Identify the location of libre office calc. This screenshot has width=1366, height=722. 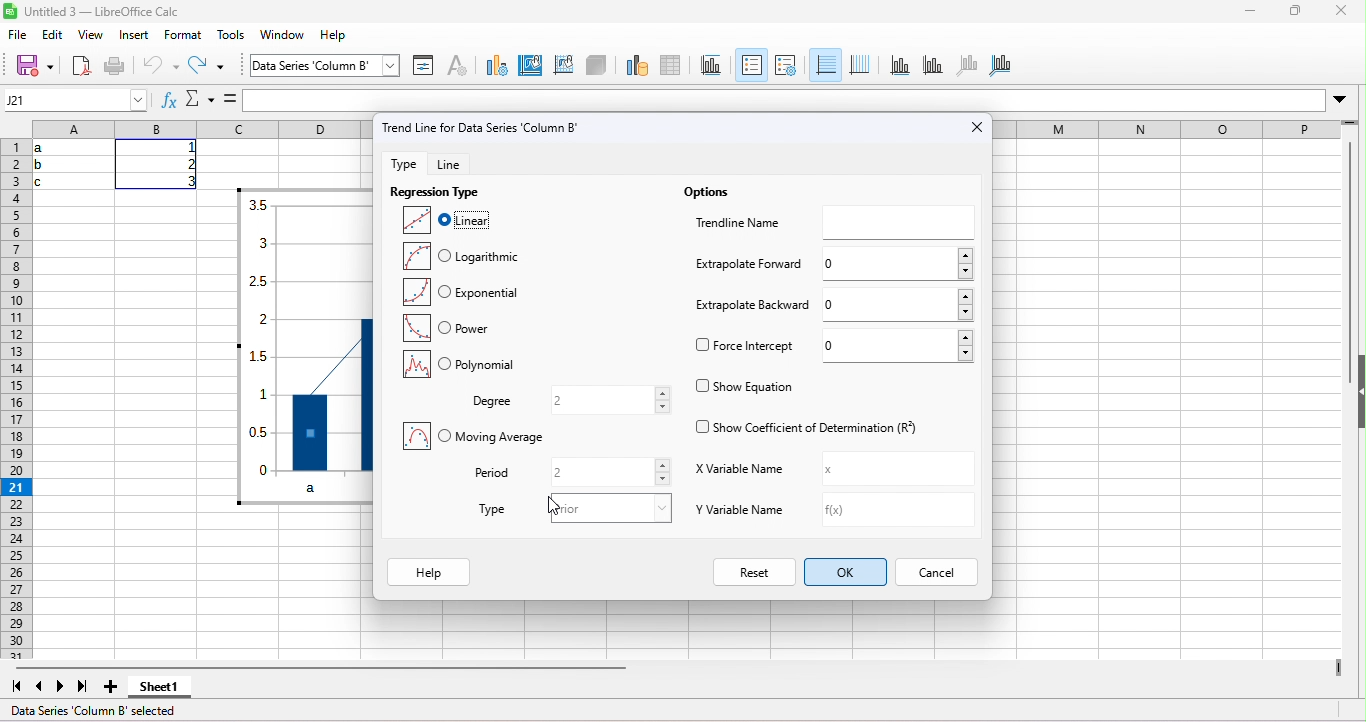
(98, 11).